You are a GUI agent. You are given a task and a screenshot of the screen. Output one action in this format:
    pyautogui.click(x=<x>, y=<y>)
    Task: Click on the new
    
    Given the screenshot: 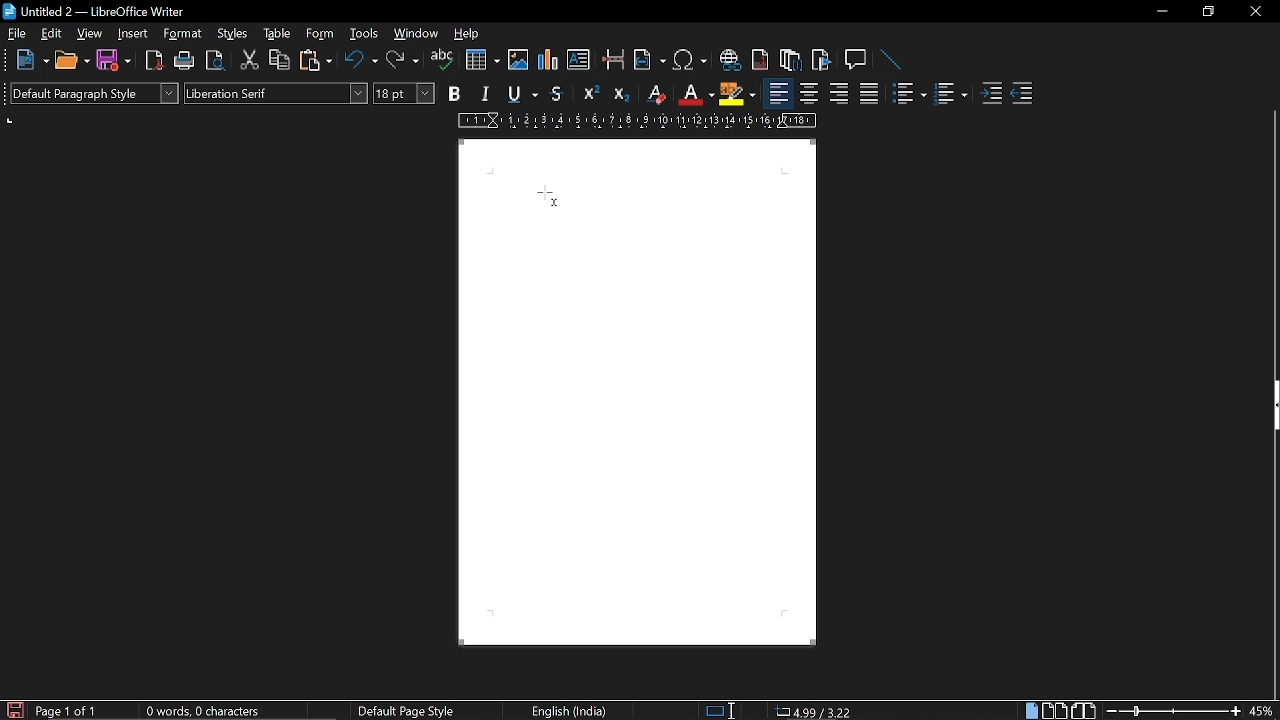 What is the action you would take?
    pyautogui.click(x=31, y=59)
    